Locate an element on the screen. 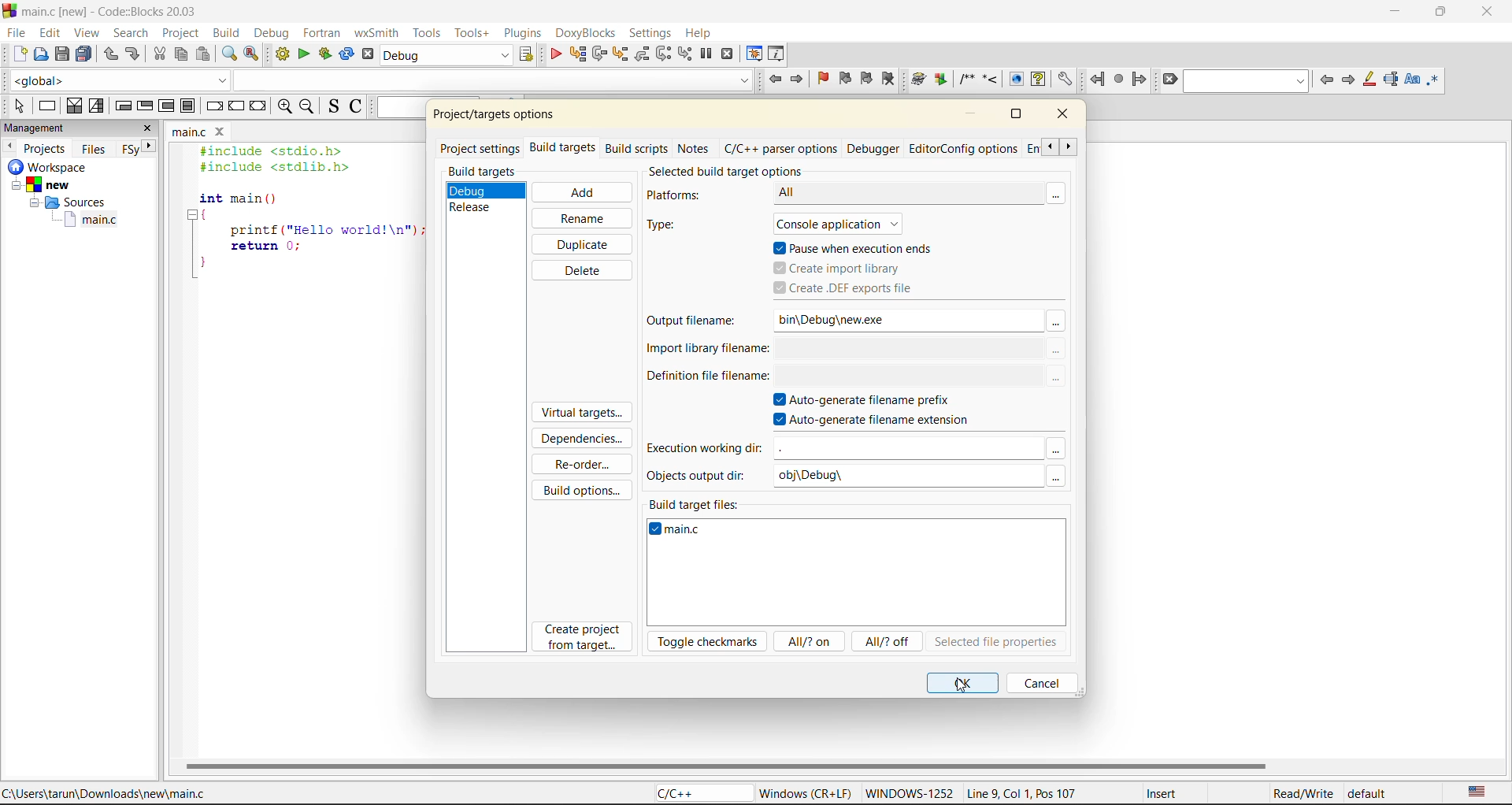  foxtran is located at coordinates (322, 35).